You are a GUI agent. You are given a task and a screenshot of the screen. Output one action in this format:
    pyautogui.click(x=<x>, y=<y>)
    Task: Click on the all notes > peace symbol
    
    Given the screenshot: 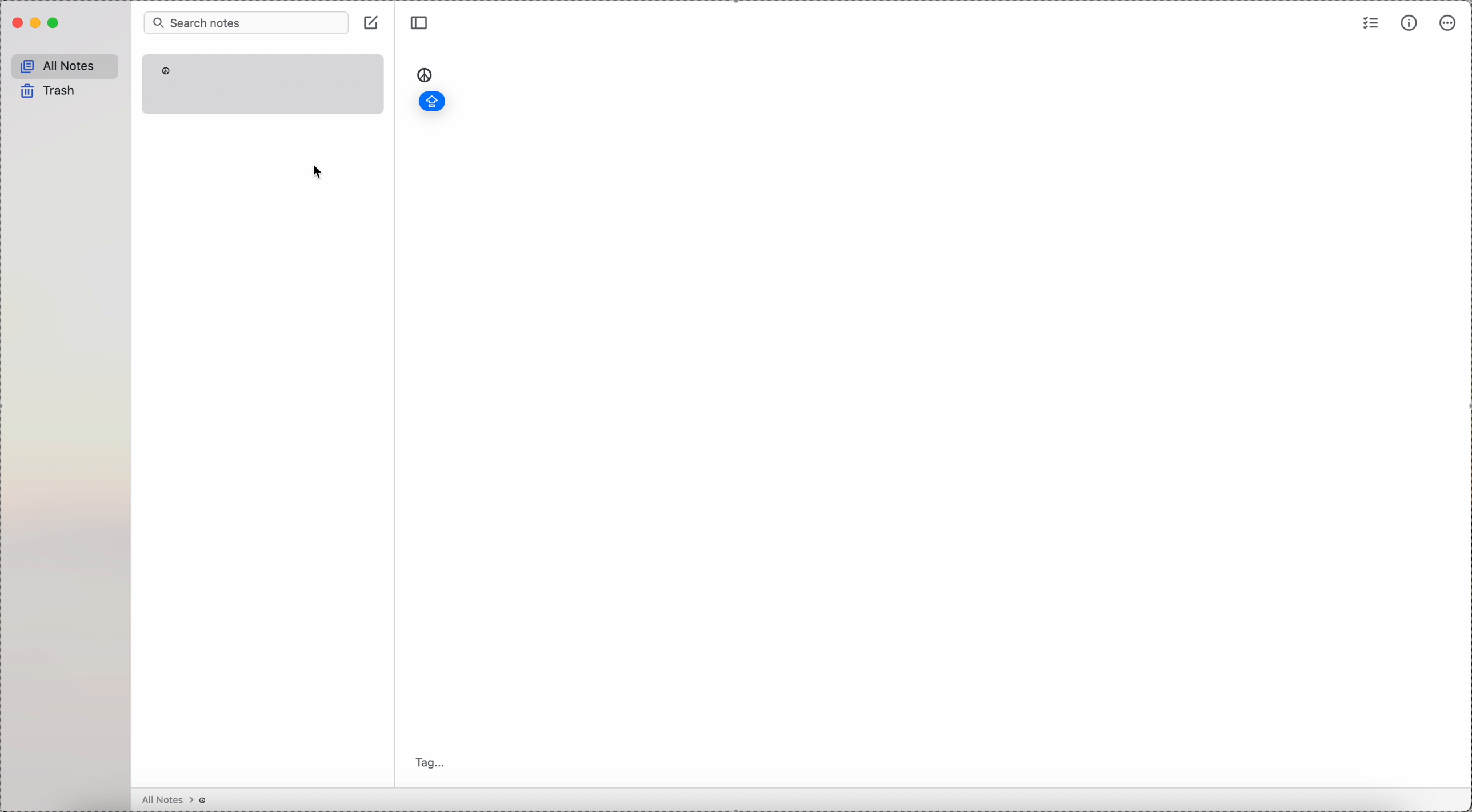 What is the action you would take?
    pyautogui.click(x=175, y=800)
    